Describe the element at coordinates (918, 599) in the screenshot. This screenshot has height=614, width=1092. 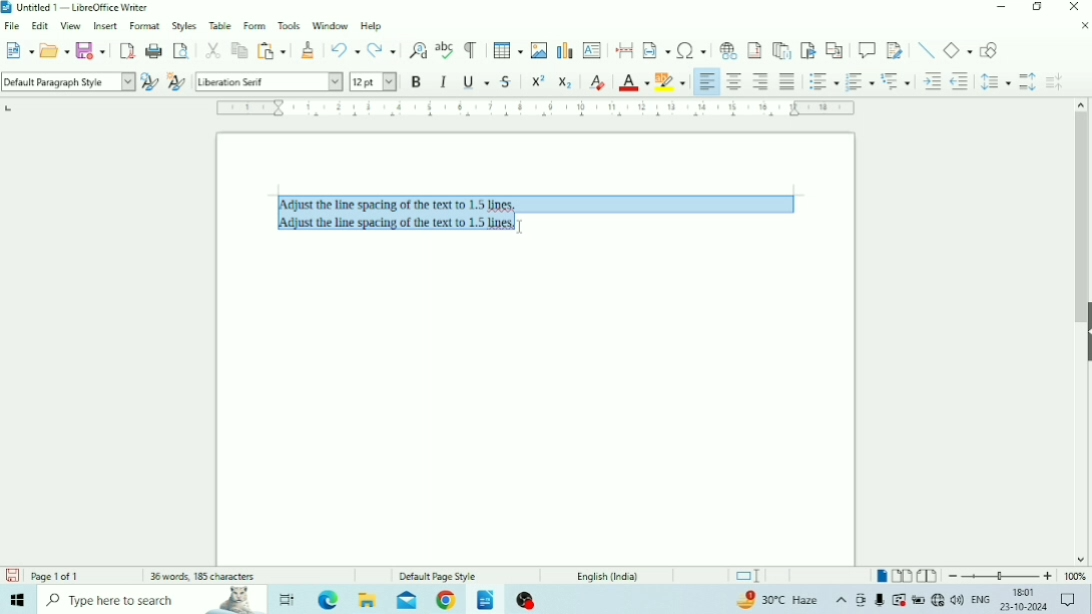
I see `Charging, plugged in` at that location.